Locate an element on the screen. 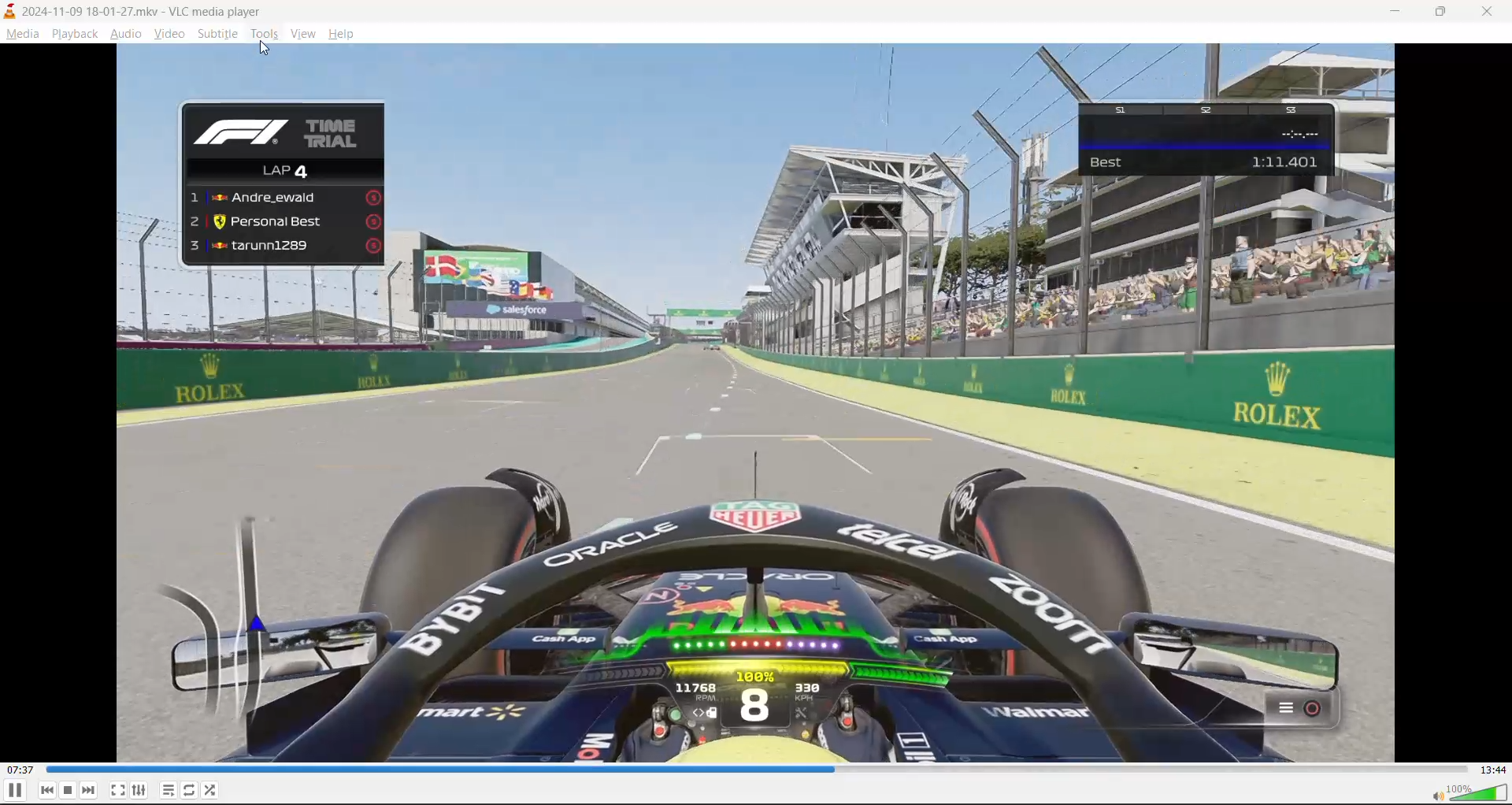 The width and height of the screenshot is (1512, 805). random is located at coordinates (213, 792).